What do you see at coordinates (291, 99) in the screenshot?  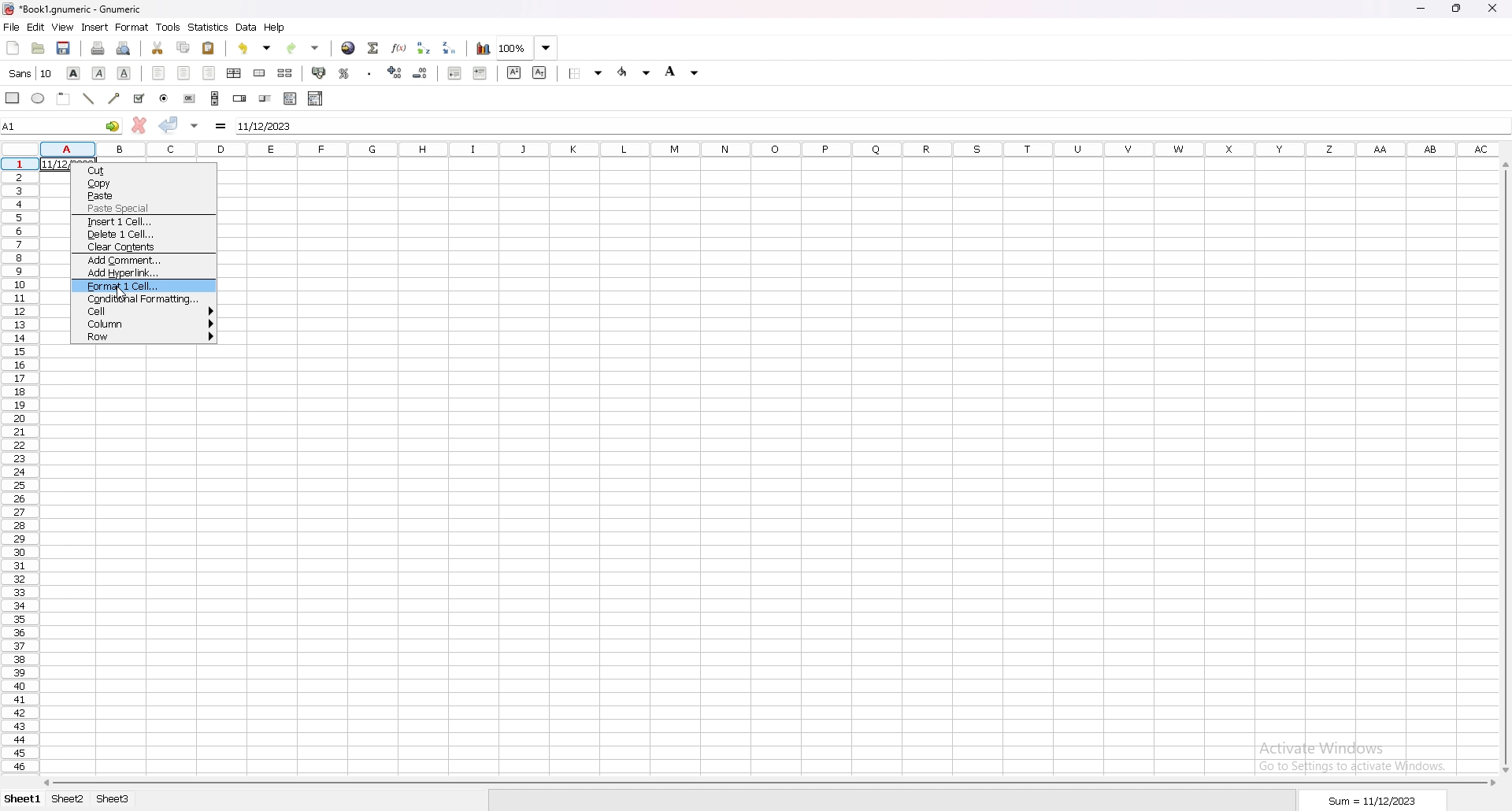 I see `list` at bounding box center [291, 99].